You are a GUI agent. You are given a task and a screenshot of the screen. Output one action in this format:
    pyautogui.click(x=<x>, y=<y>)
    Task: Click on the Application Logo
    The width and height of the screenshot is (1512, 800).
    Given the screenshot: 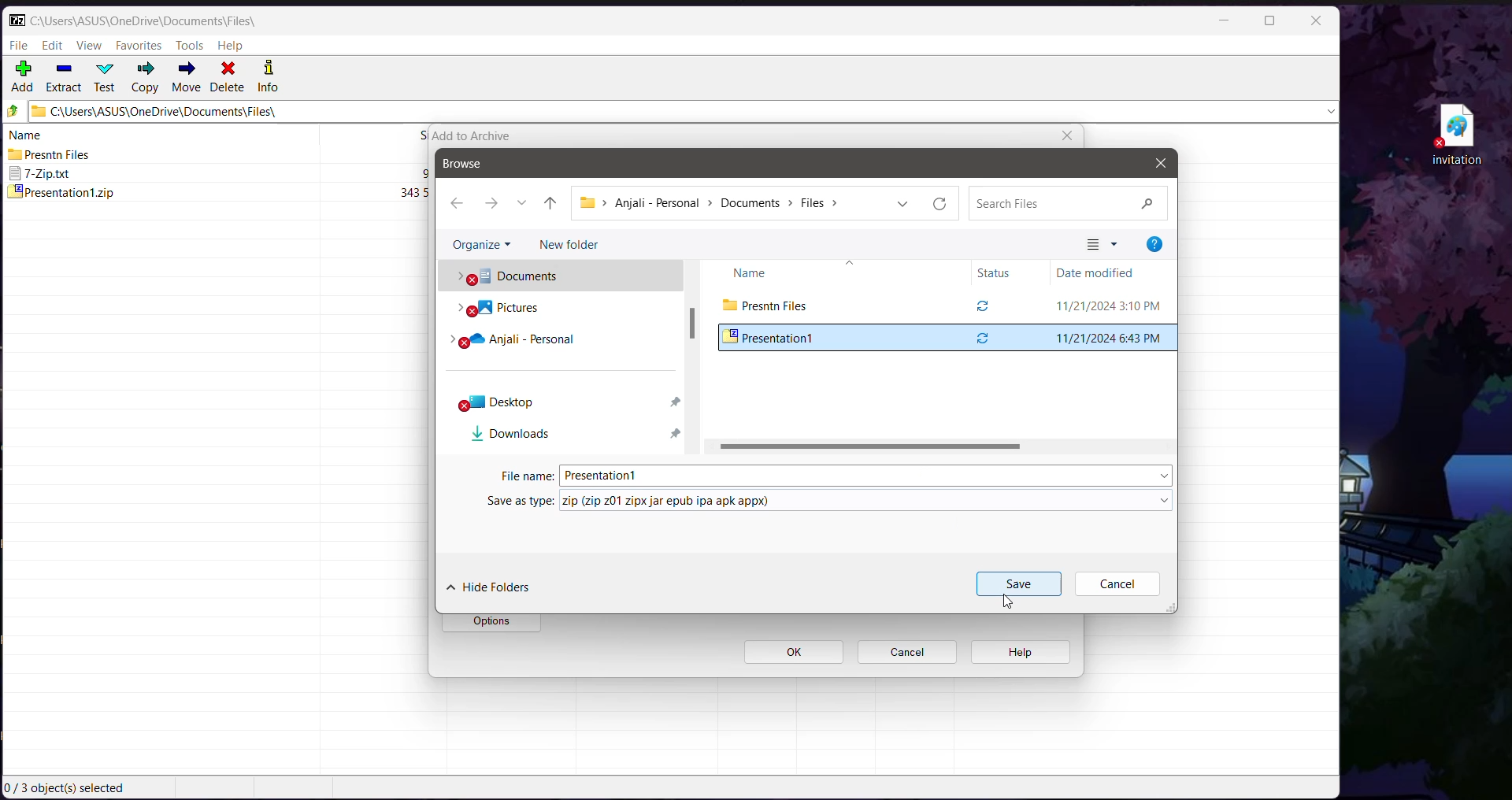 What is the action you would take?
    pyautogui.click(x=17, y=20)
    